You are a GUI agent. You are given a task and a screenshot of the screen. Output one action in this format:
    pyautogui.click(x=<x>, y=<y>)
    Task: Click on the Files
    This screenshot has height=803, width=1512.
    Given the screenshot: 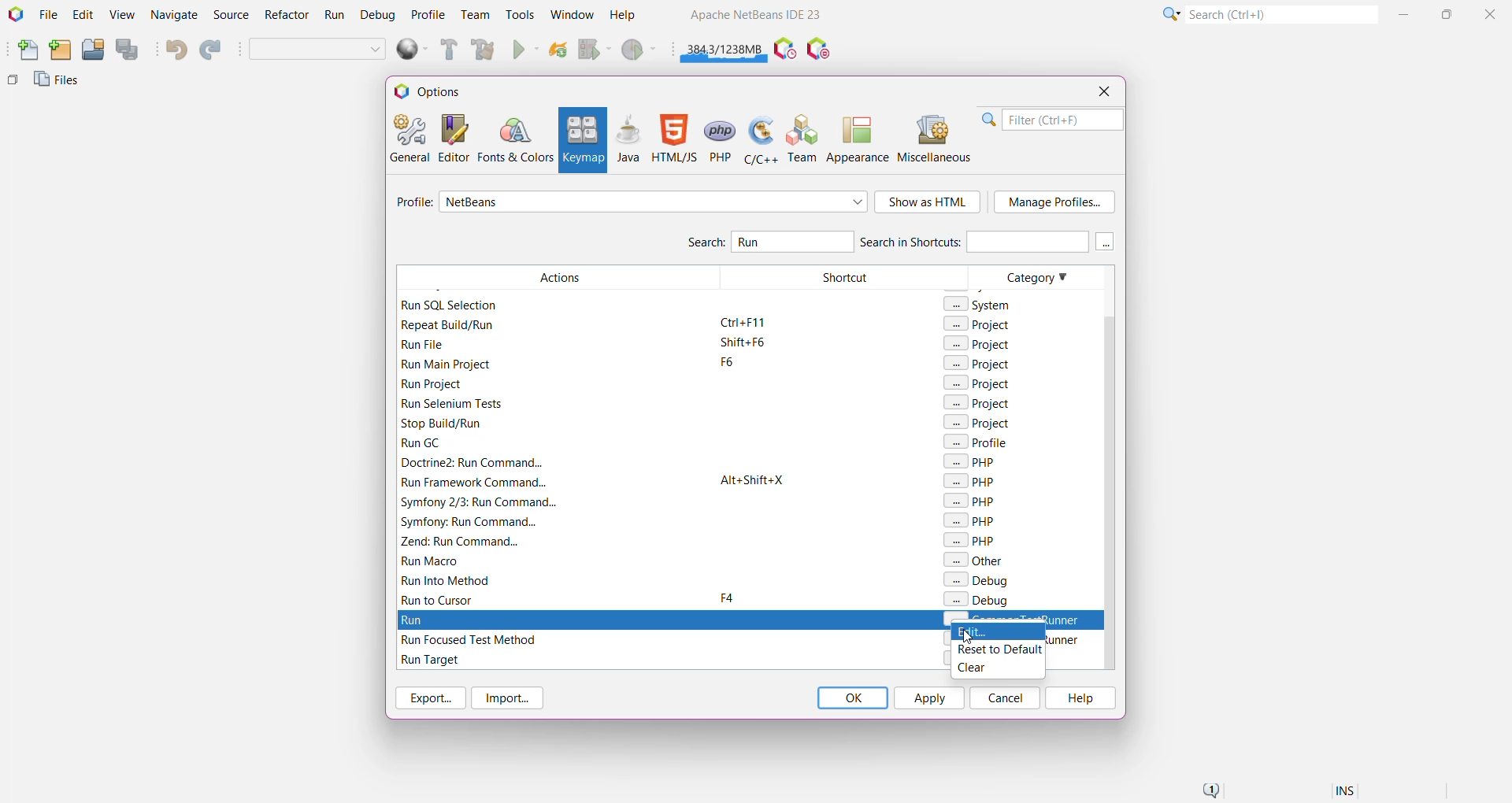 What is the action you would take?
    pyautogui.click(x=59, y=83)
    